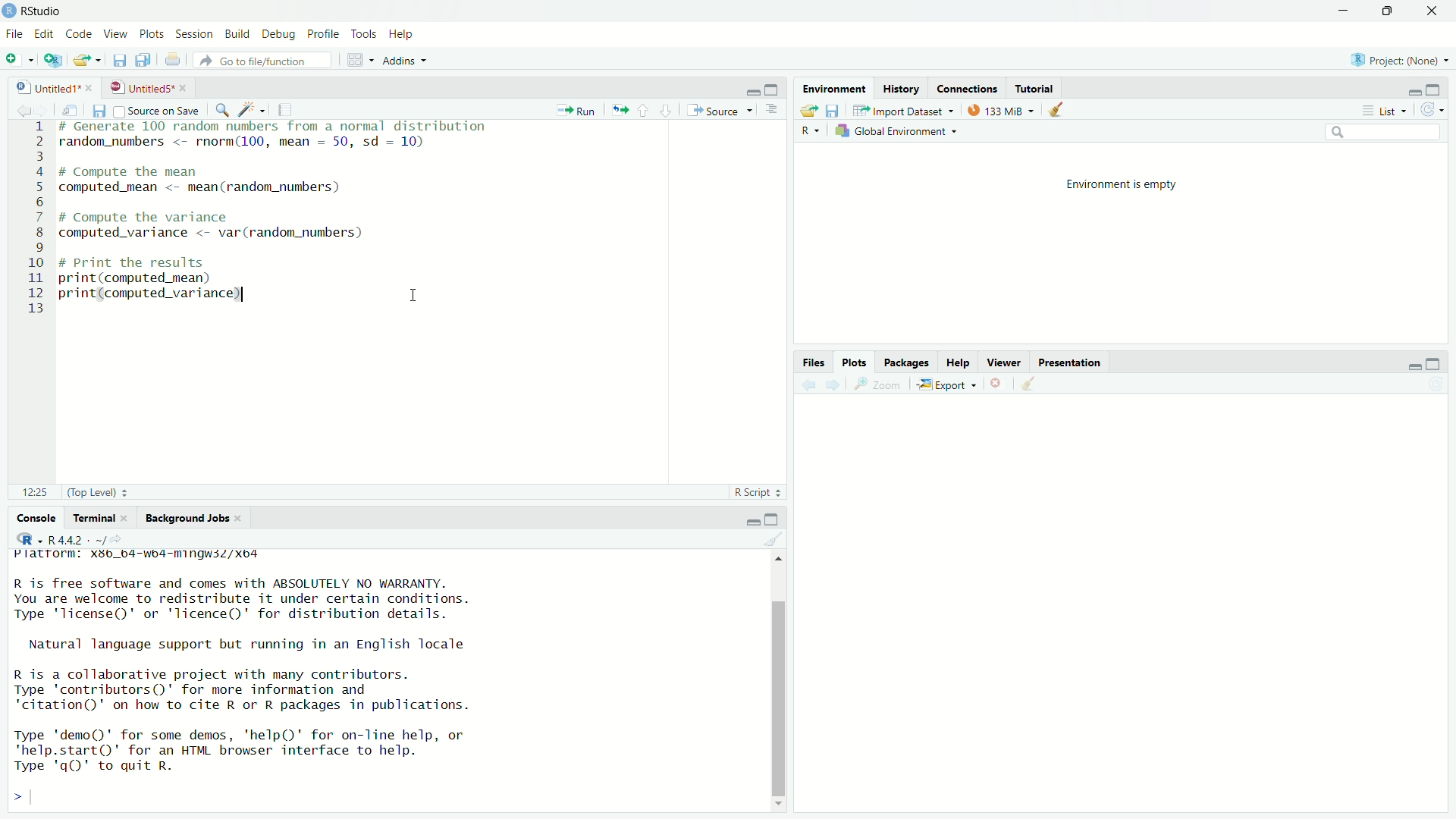 The width and height of the screenshot is (1456, 819). I want to click on global environment, so click(898, 133).